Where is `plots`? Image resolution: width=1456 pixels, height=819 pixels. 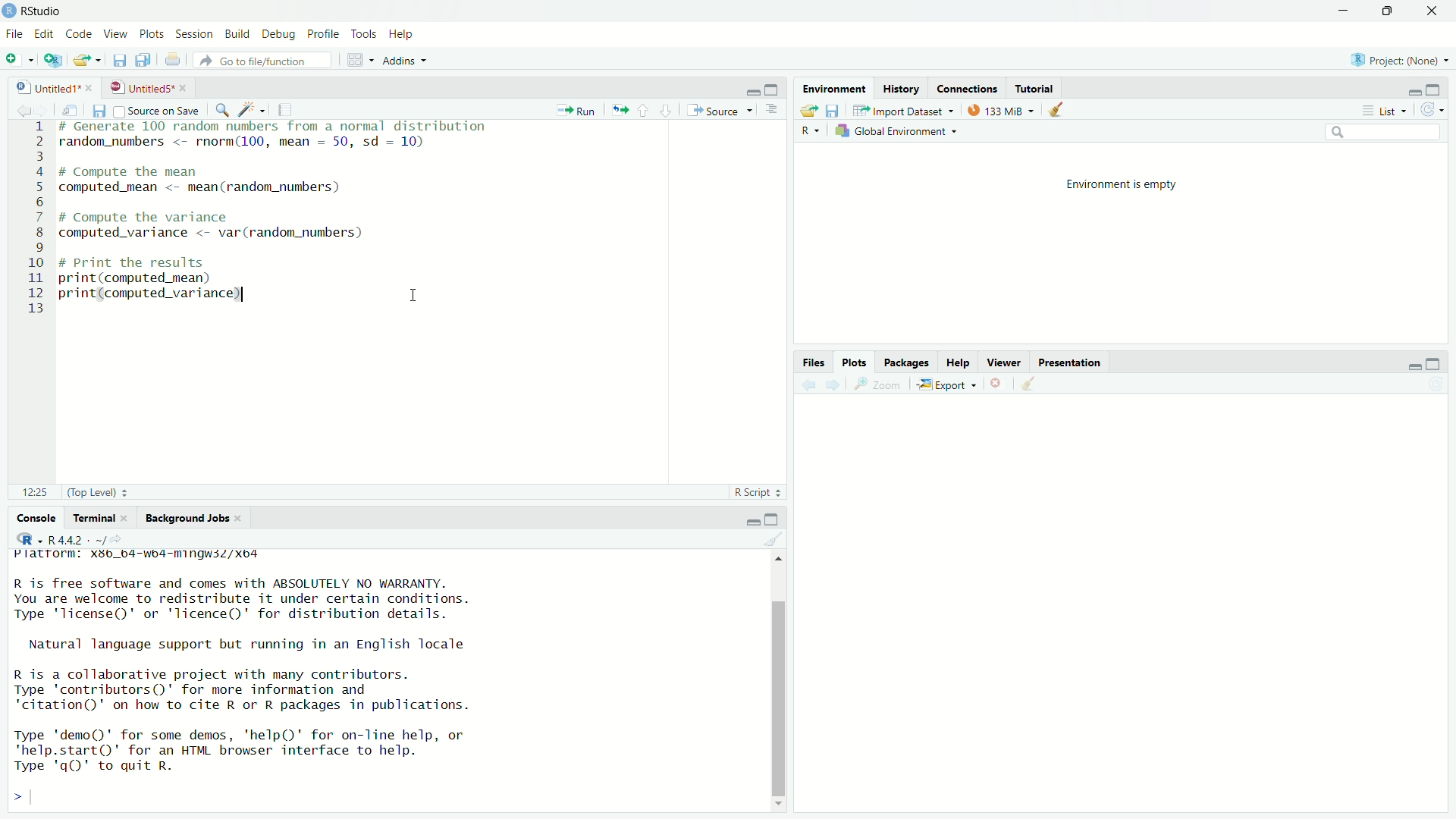 plots is located at coordinates (855, 362).